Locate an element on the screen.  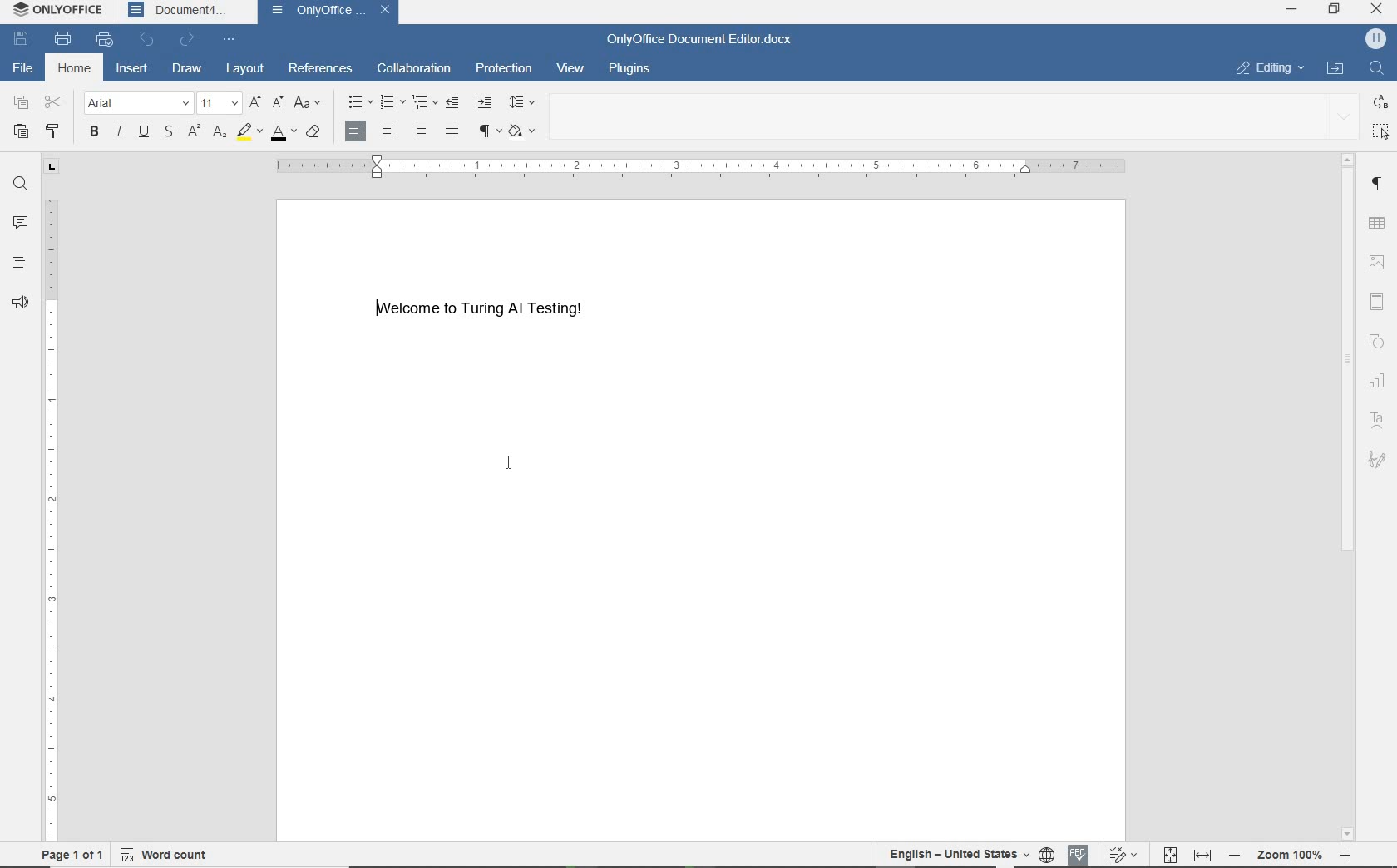
increase indent is located at coordinates (486, 103).